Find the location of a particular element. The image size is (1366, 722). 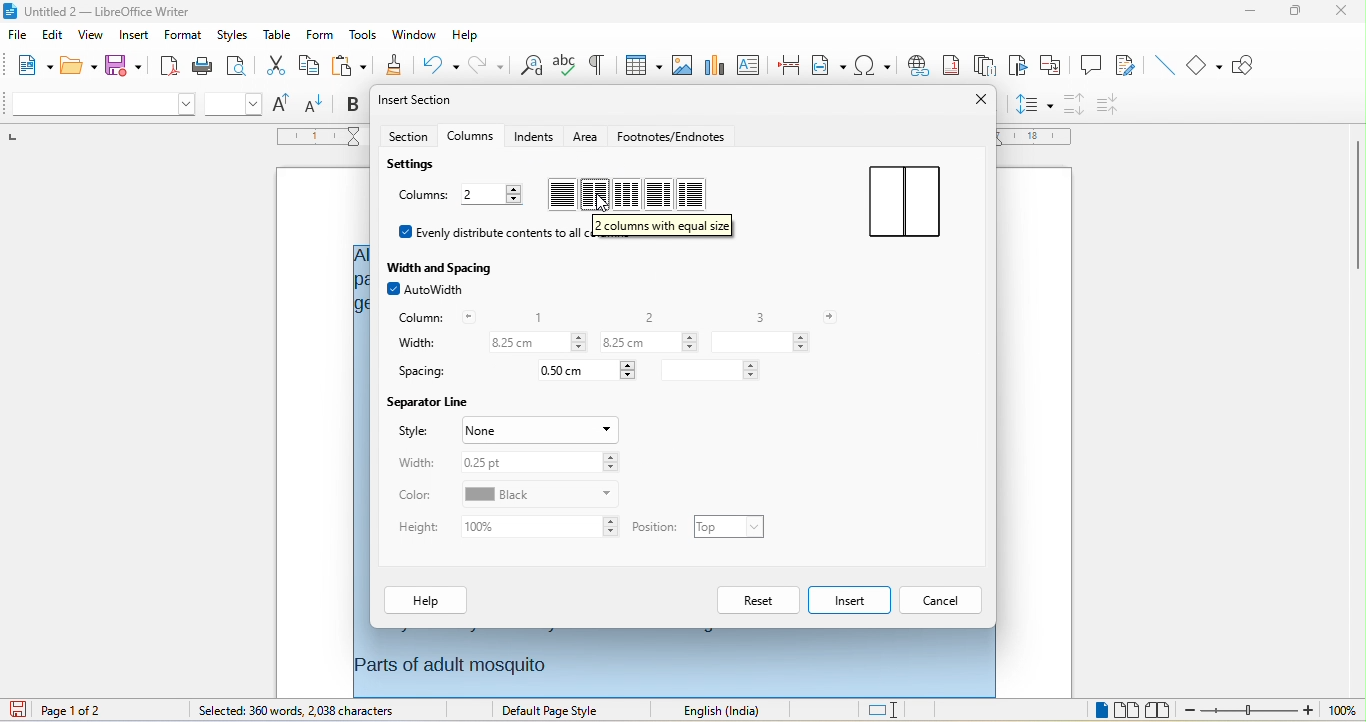

3 is located at coordinates (764, 315).